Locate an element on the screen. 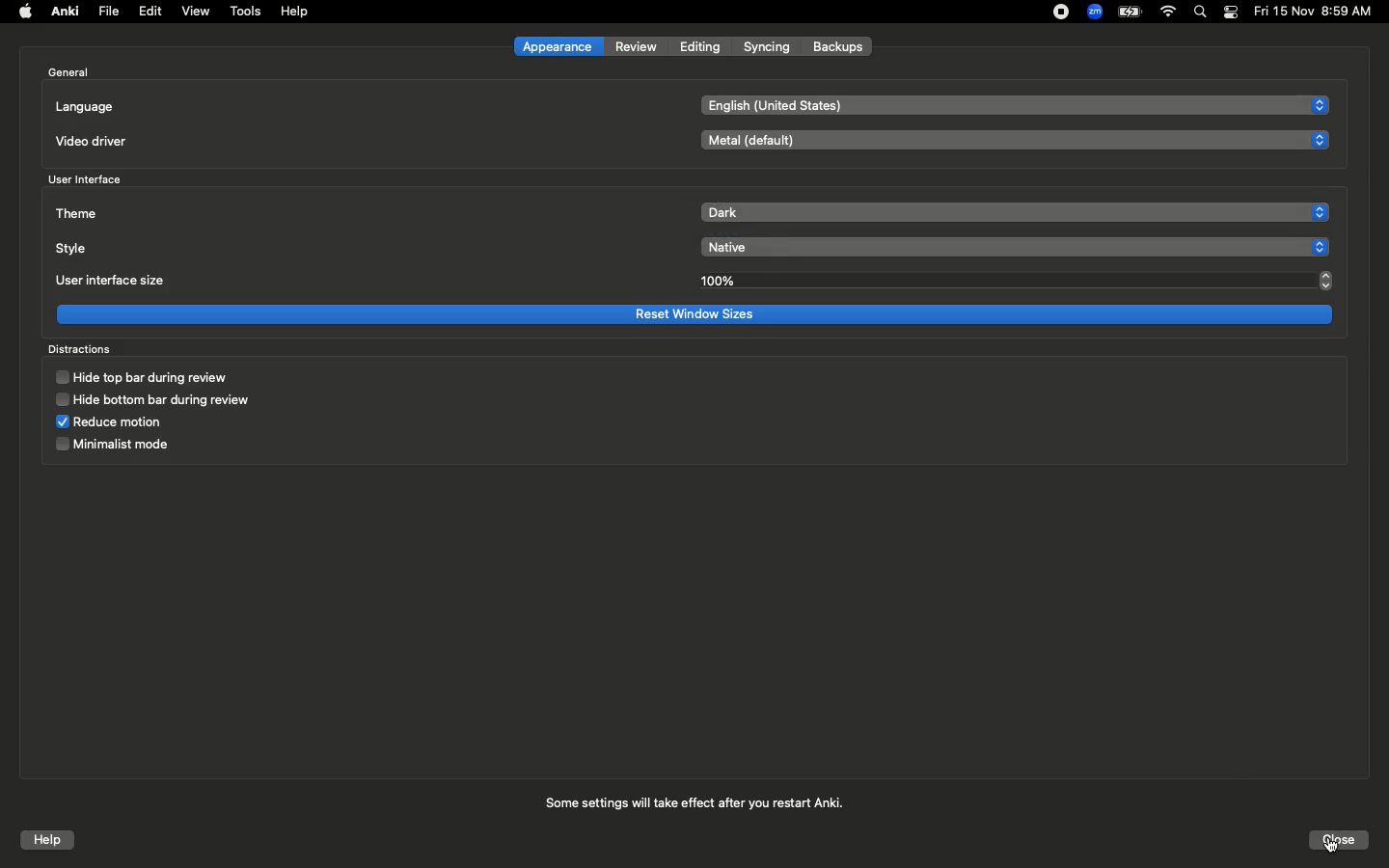 This screenshot has height=868, width=1389. User interface is located at coordinates (90, 183).